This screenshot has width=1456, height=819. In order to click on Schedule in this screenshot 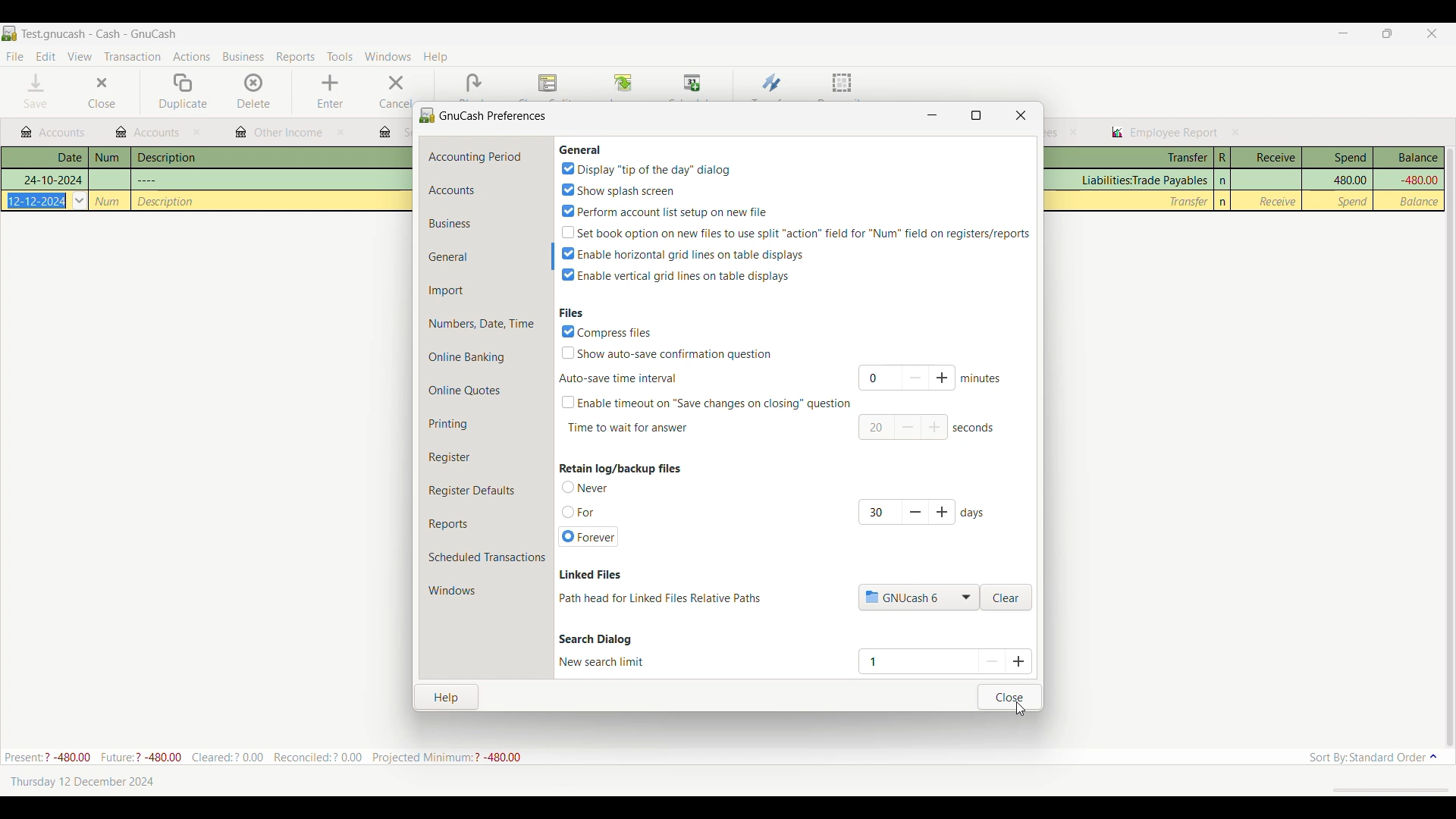, I will do `click(693, 83)`.